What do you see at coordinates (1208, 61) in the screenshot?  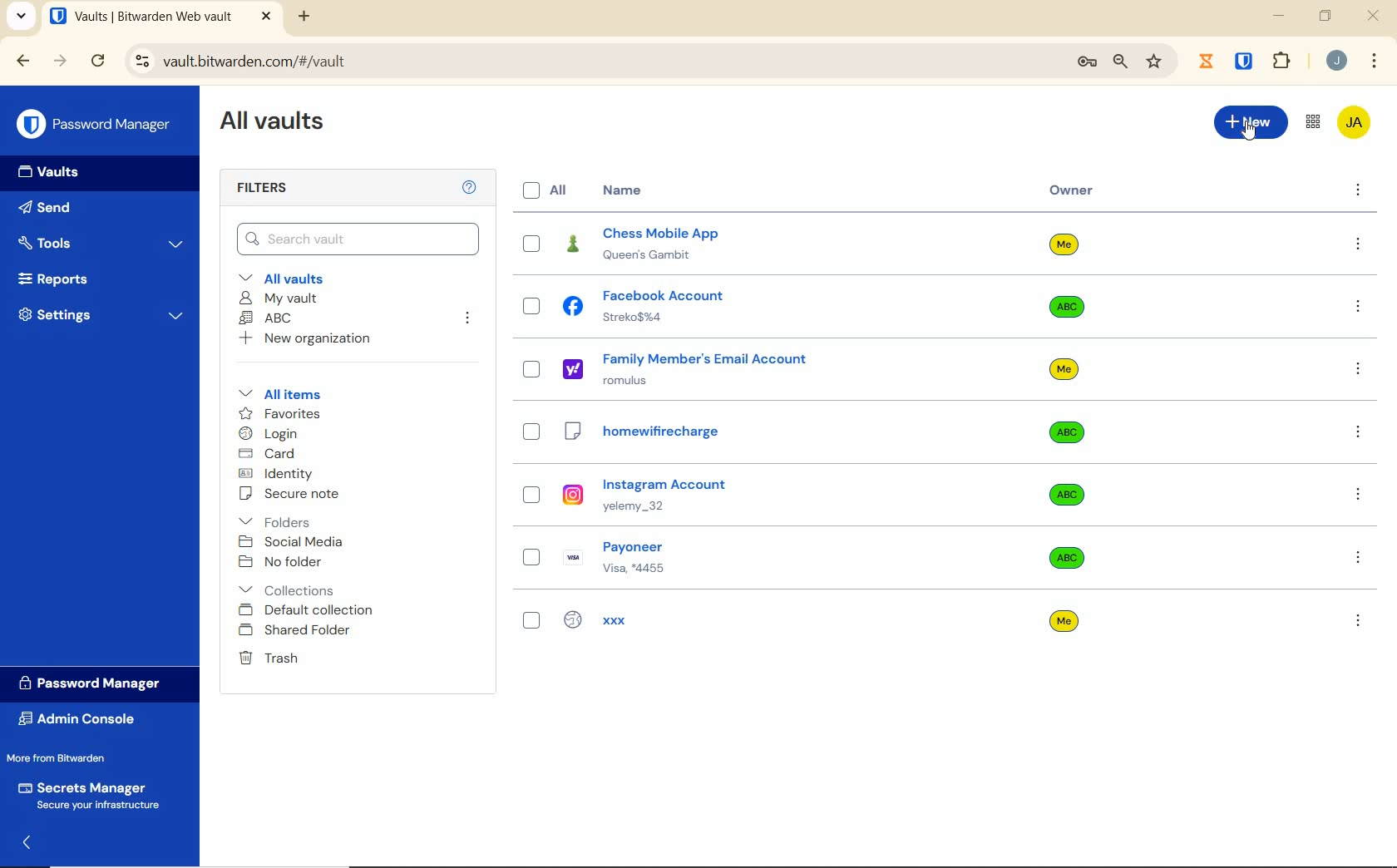 I see `Jibril Extension` at bounding box center [1208, 61].